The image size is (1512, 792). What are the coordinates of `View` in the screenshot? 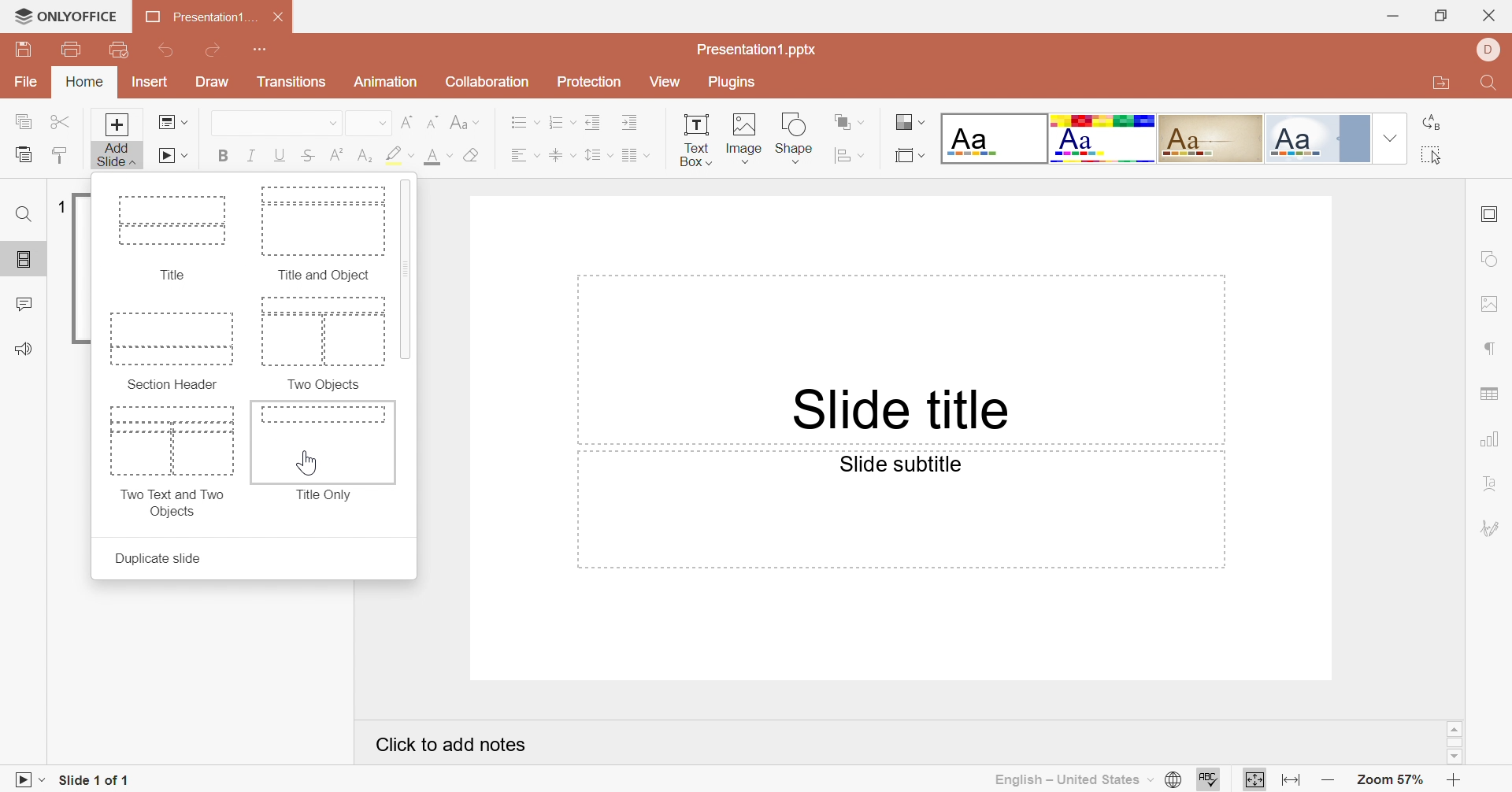 It's located at (665, 81).